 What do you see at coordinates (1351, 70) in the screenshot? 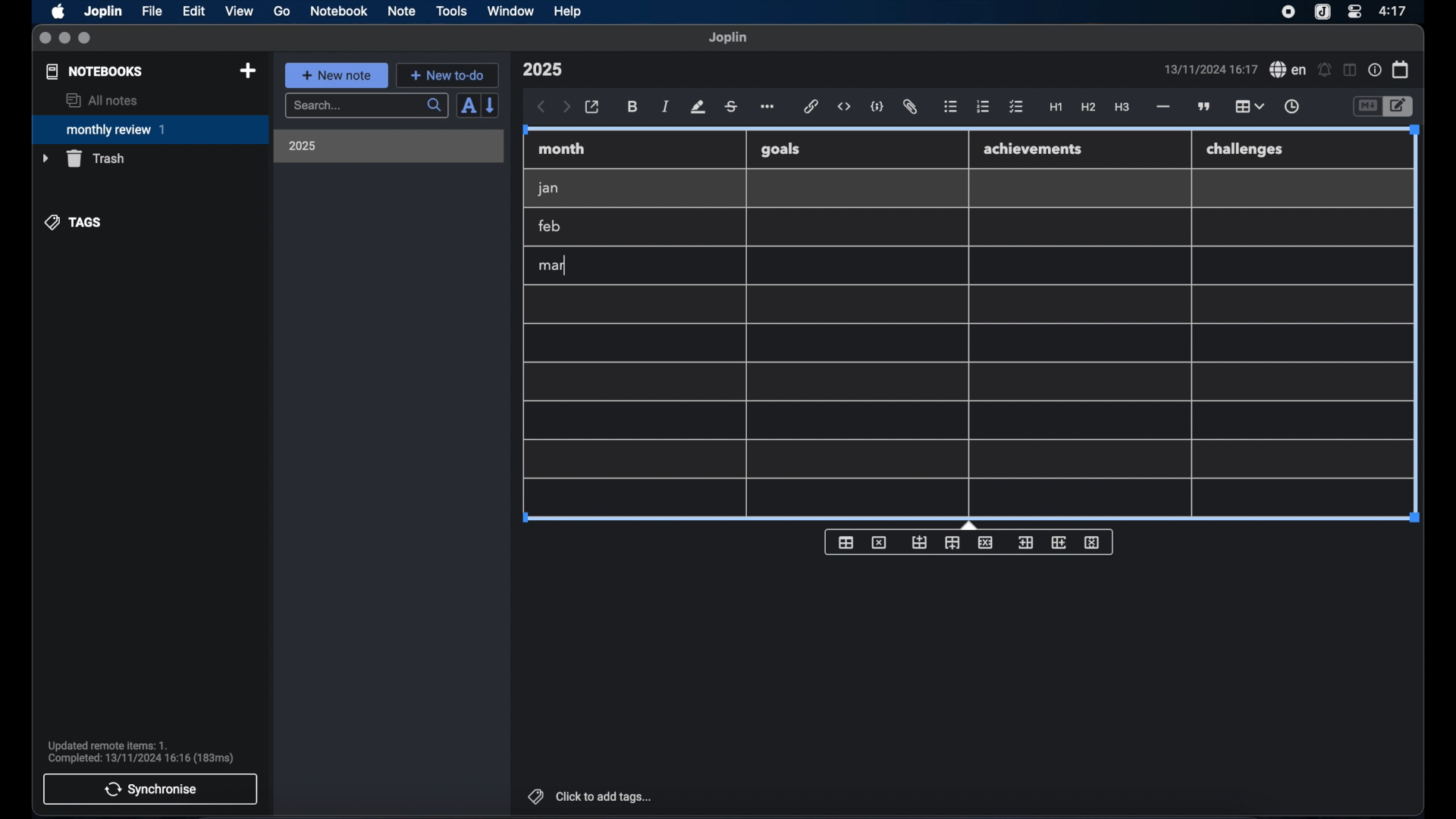
I see `toggle editor layout` at bounding box center [1351, 70].